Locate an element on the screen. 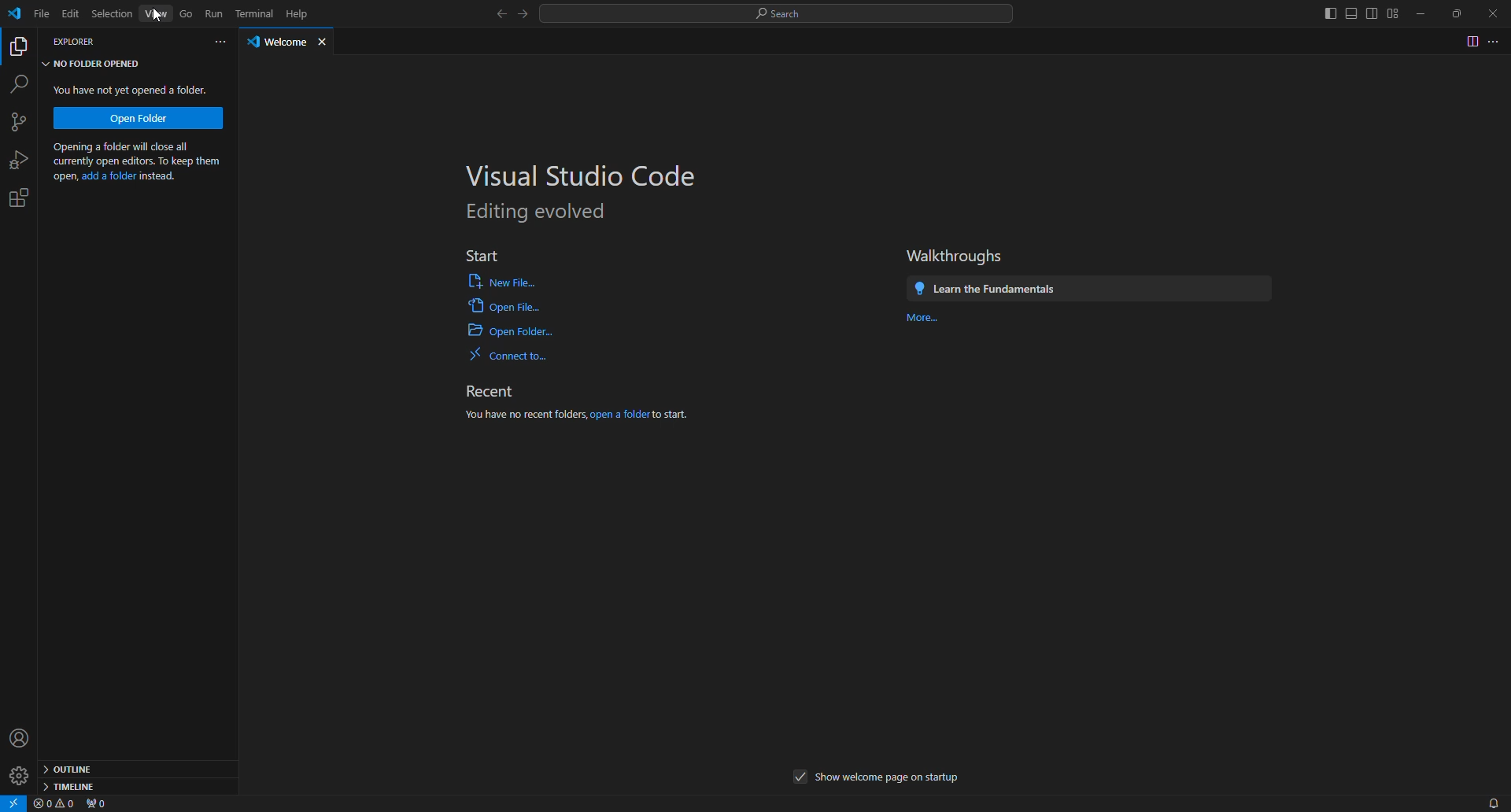 The image size is (1511, 812). You have not yet opened a folder is located at coordinates (128, 90).